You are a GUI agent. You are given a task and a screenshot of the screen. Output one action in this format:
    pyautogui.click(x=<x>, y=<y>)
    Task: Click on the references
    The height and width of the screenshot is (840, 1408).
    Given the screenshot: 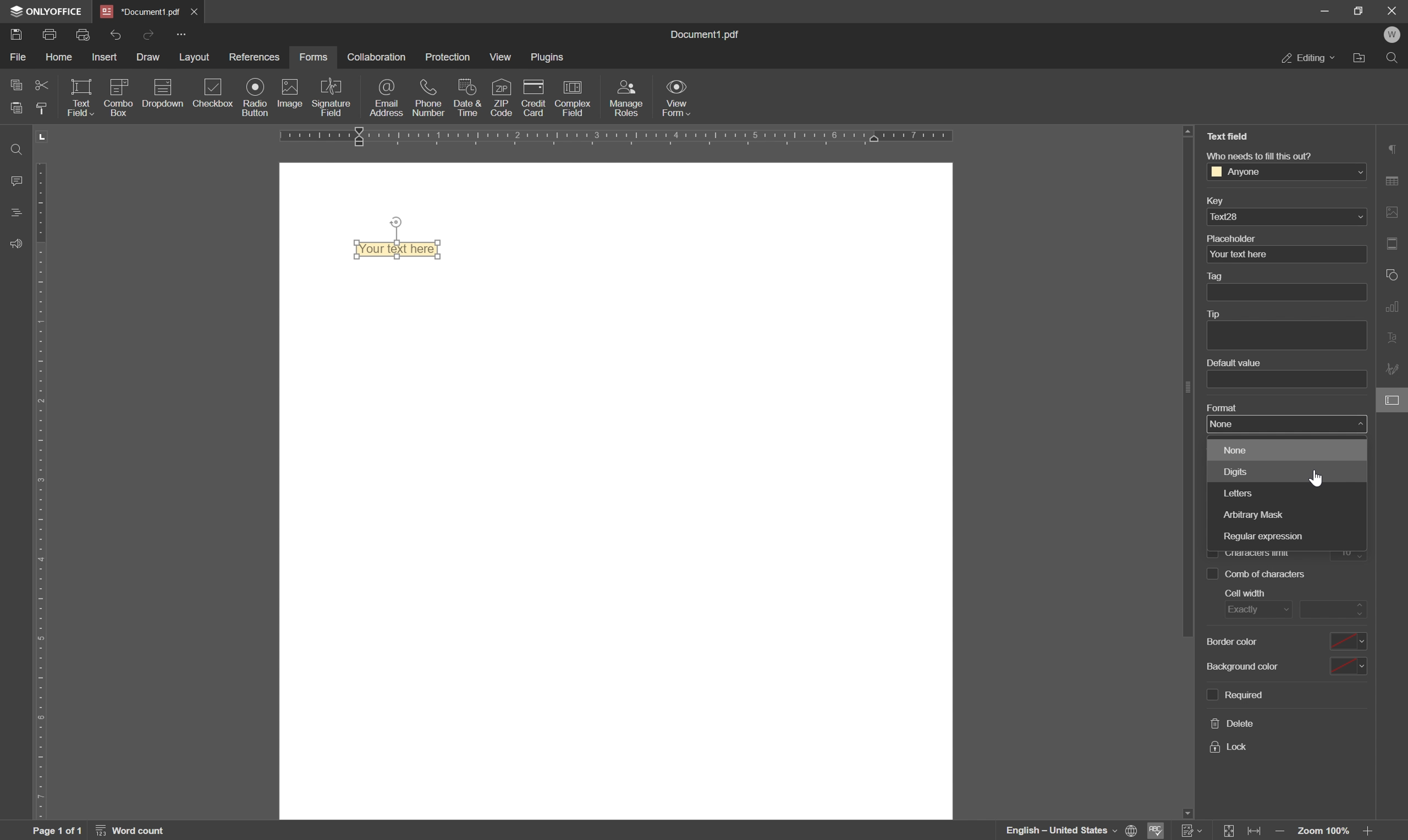 What is the action you would take?
    pyautogui.click(x=255, y=57)
    